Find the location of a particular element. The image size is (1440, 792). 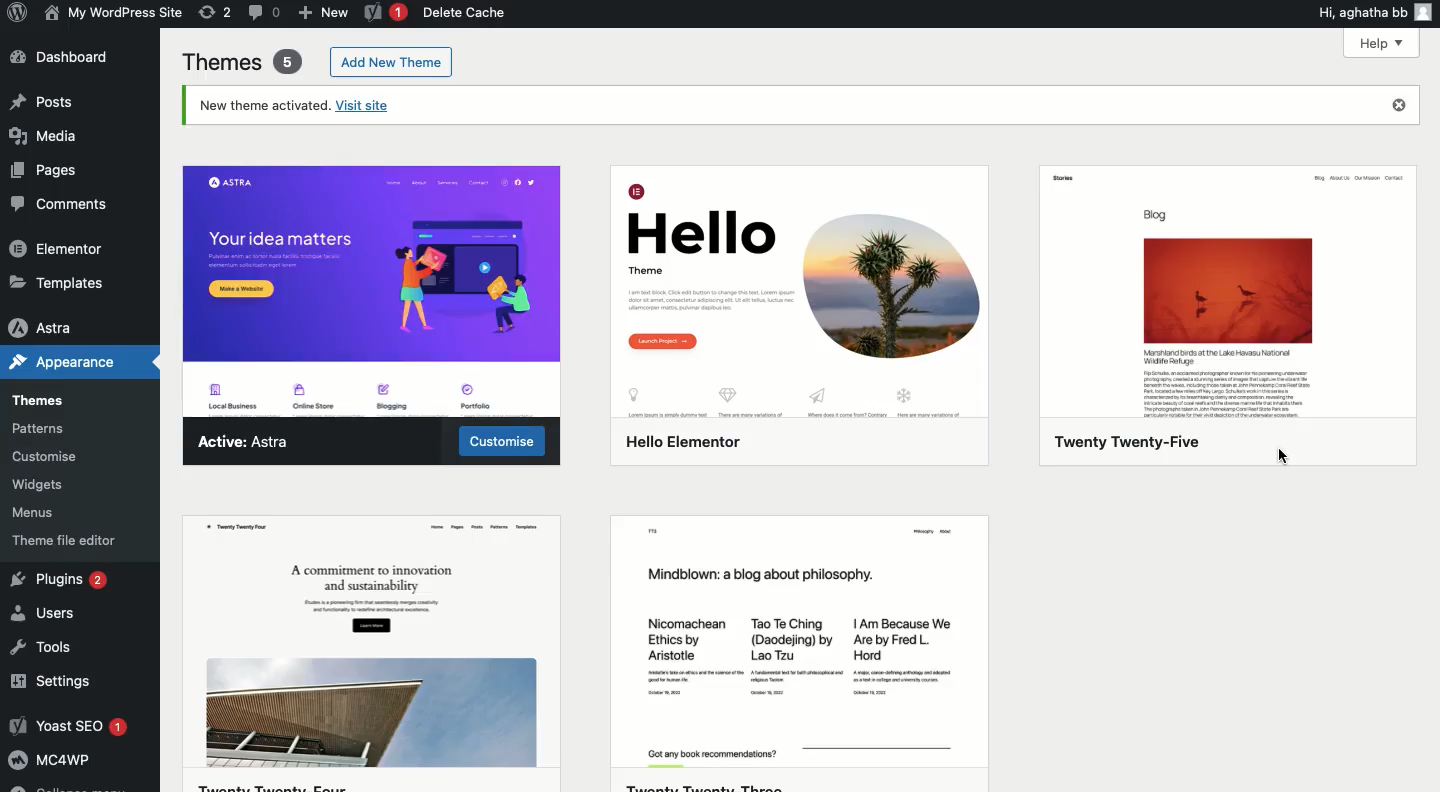

Patterns is located at coordinates (50, 425).